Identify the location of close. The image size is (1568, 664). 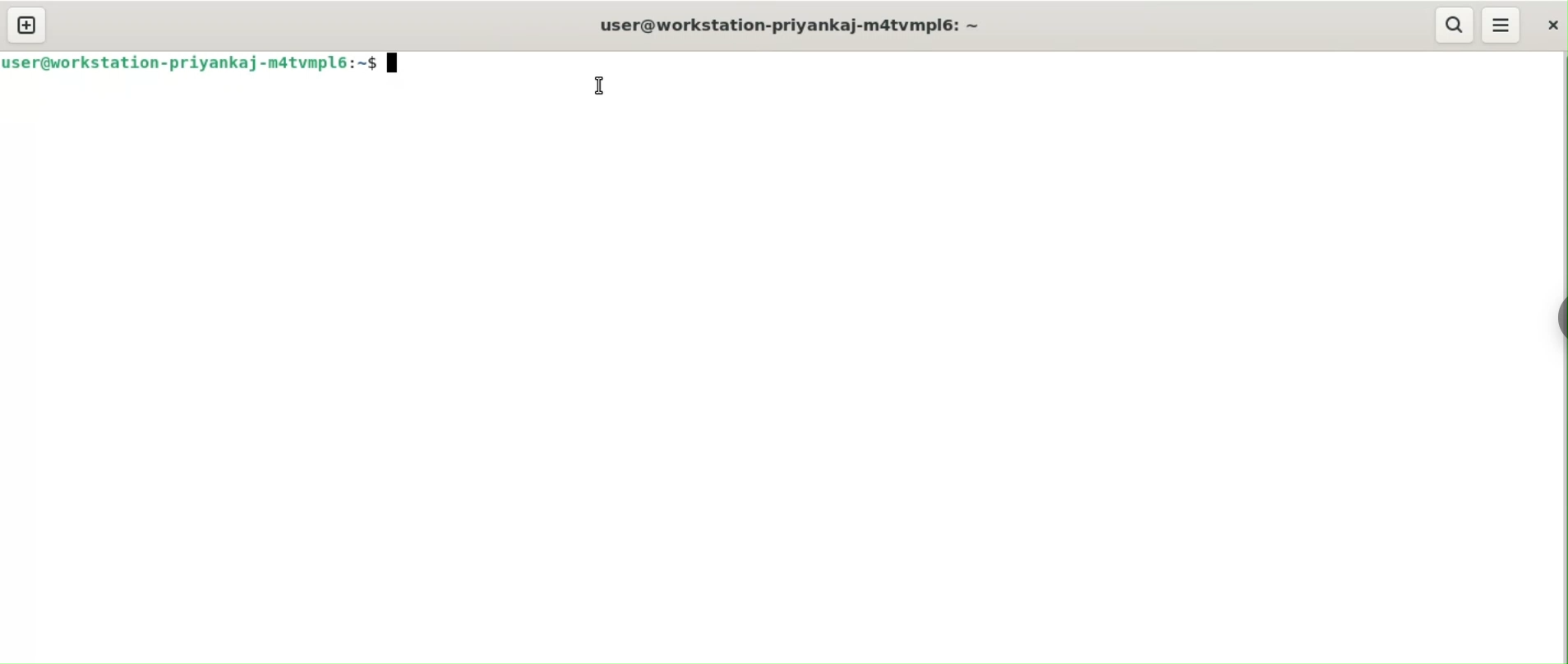
(1550, 23).